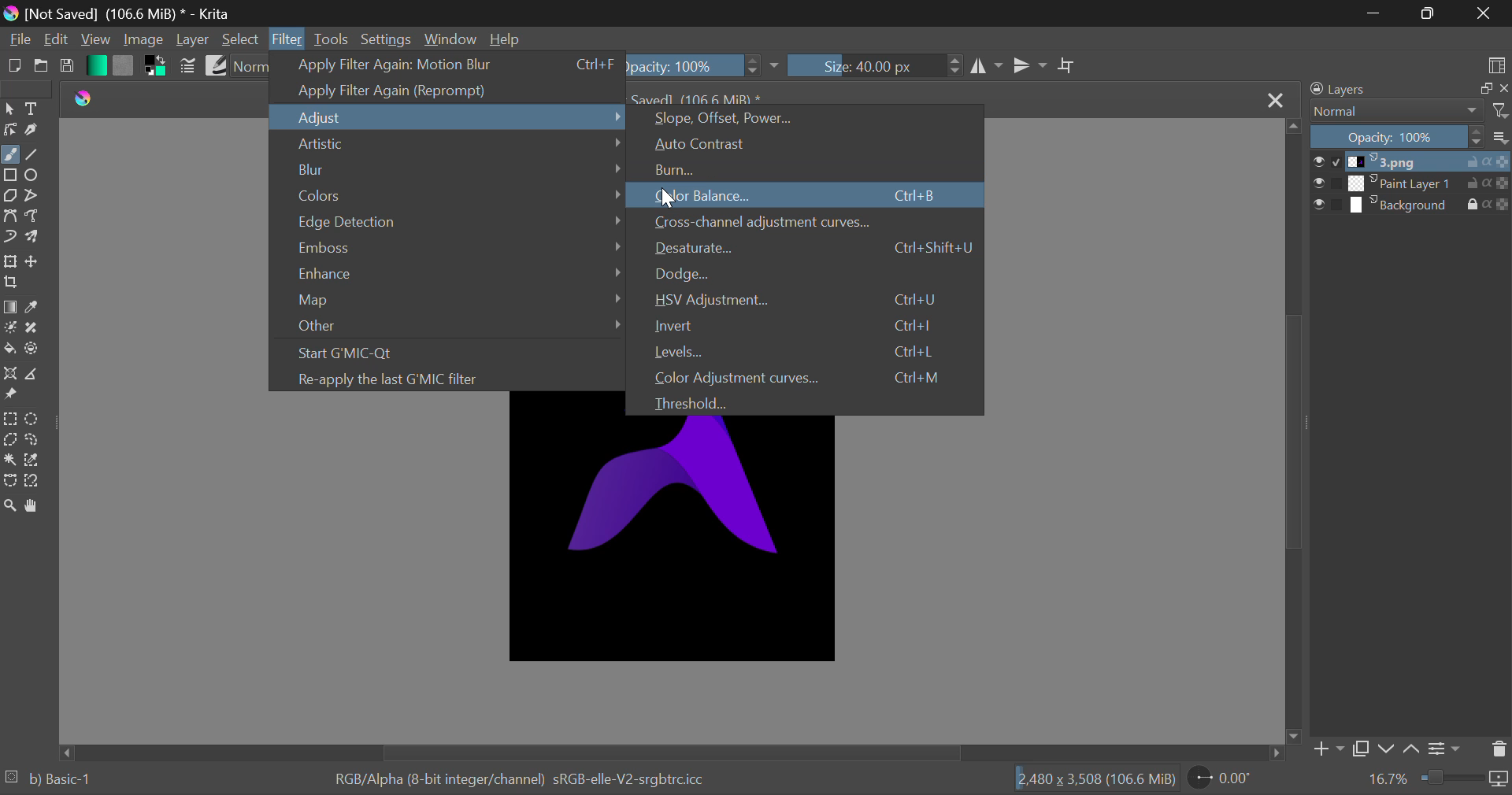  I want to click on move right, so click(1284, 754).